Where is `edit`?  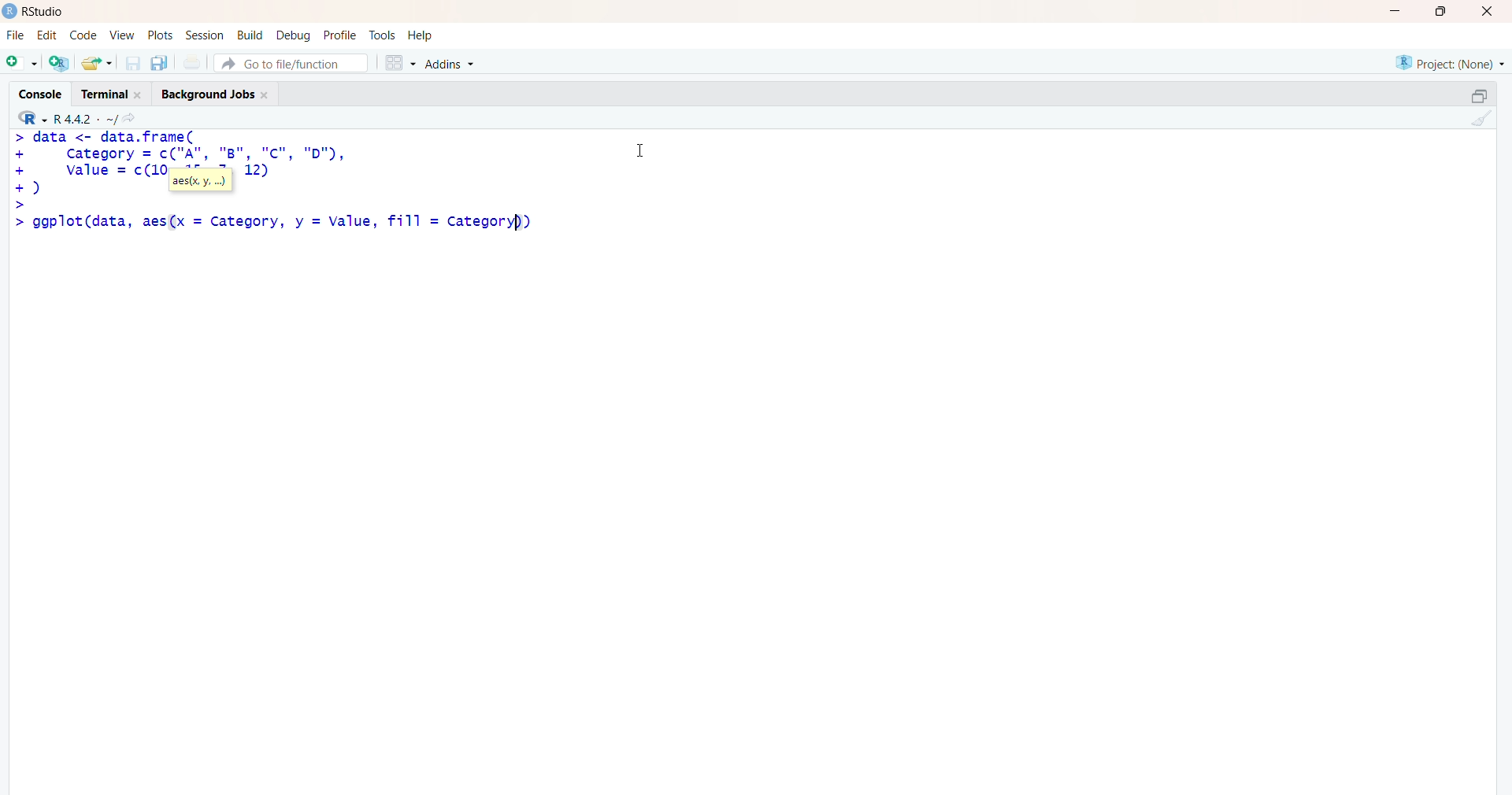
edit is located at coordinates (47, 35).